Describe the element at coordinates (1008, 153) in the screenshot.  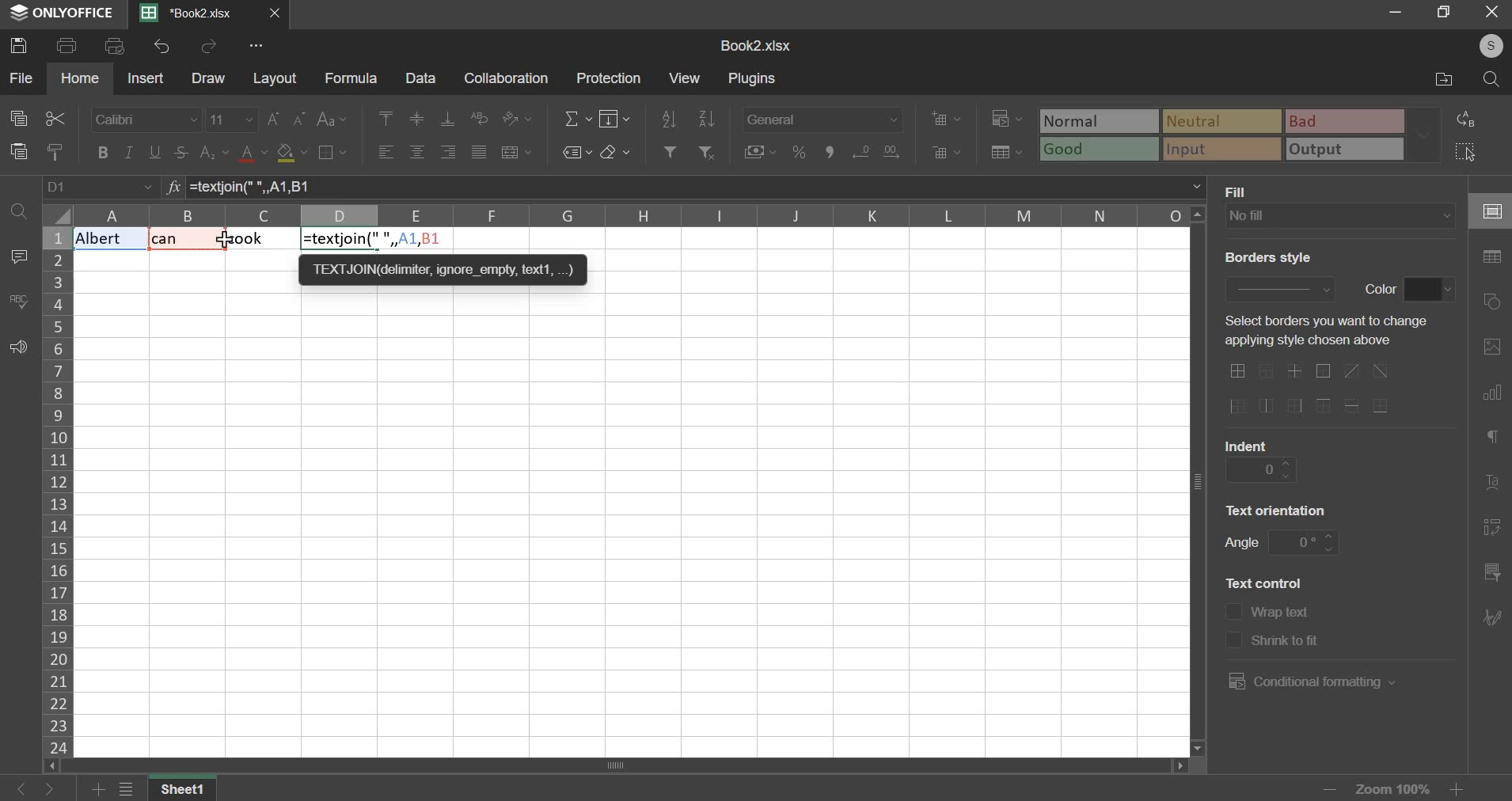
I see `save as table` at that location.